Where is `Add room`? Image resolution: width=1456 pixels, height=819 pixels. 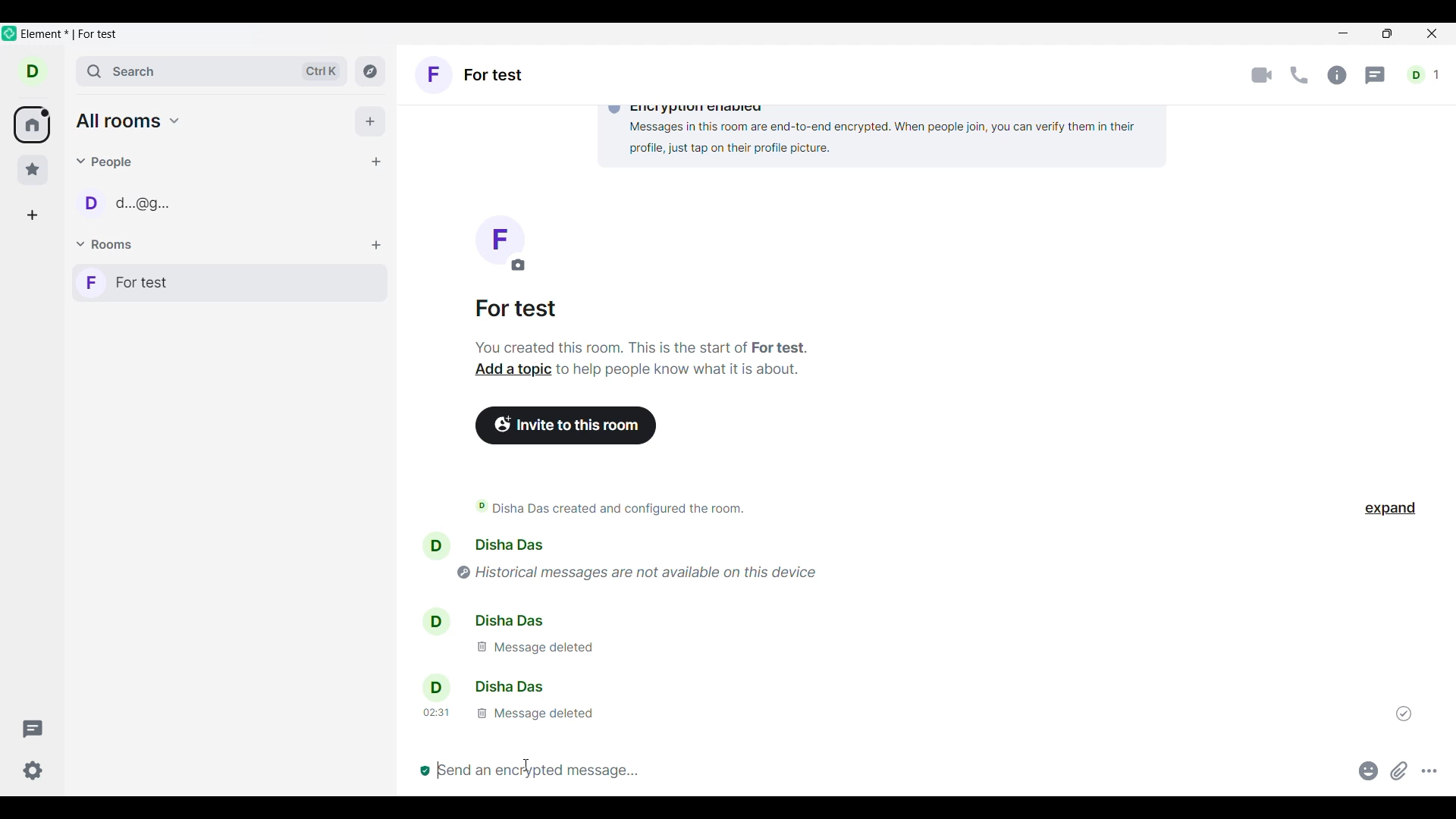 Add room is located at coordinates (376, 246).